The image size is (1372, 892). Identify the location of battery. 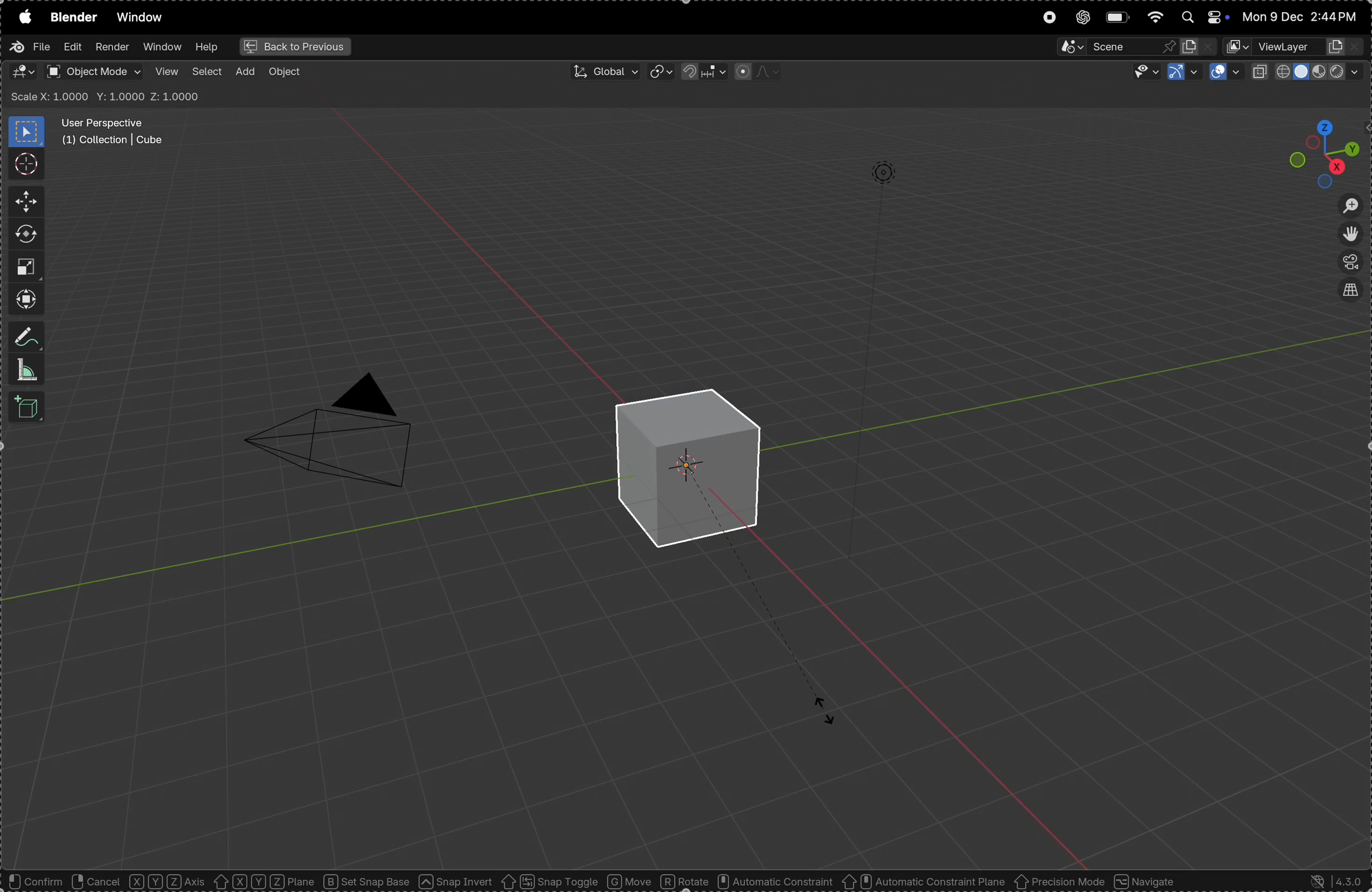
(1118, 18).